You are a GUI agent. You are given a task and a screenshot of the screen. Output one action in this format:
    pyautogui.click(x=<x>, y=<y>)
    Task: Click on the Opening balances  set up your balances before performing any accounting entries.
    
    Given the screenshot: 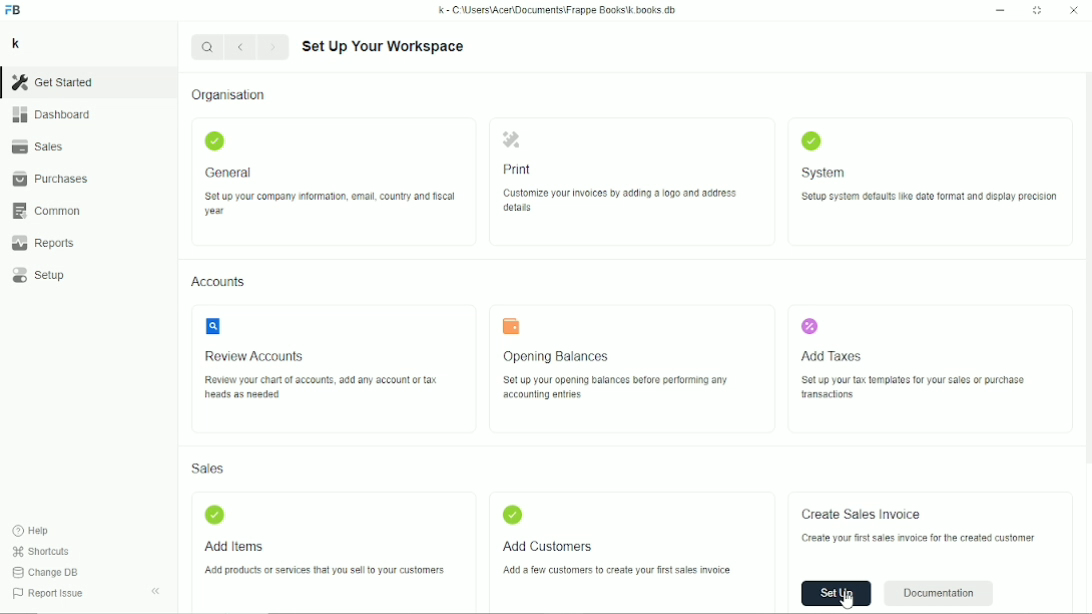 What is the action you would take?
    pyautogui.click(x=617, y=360)
    